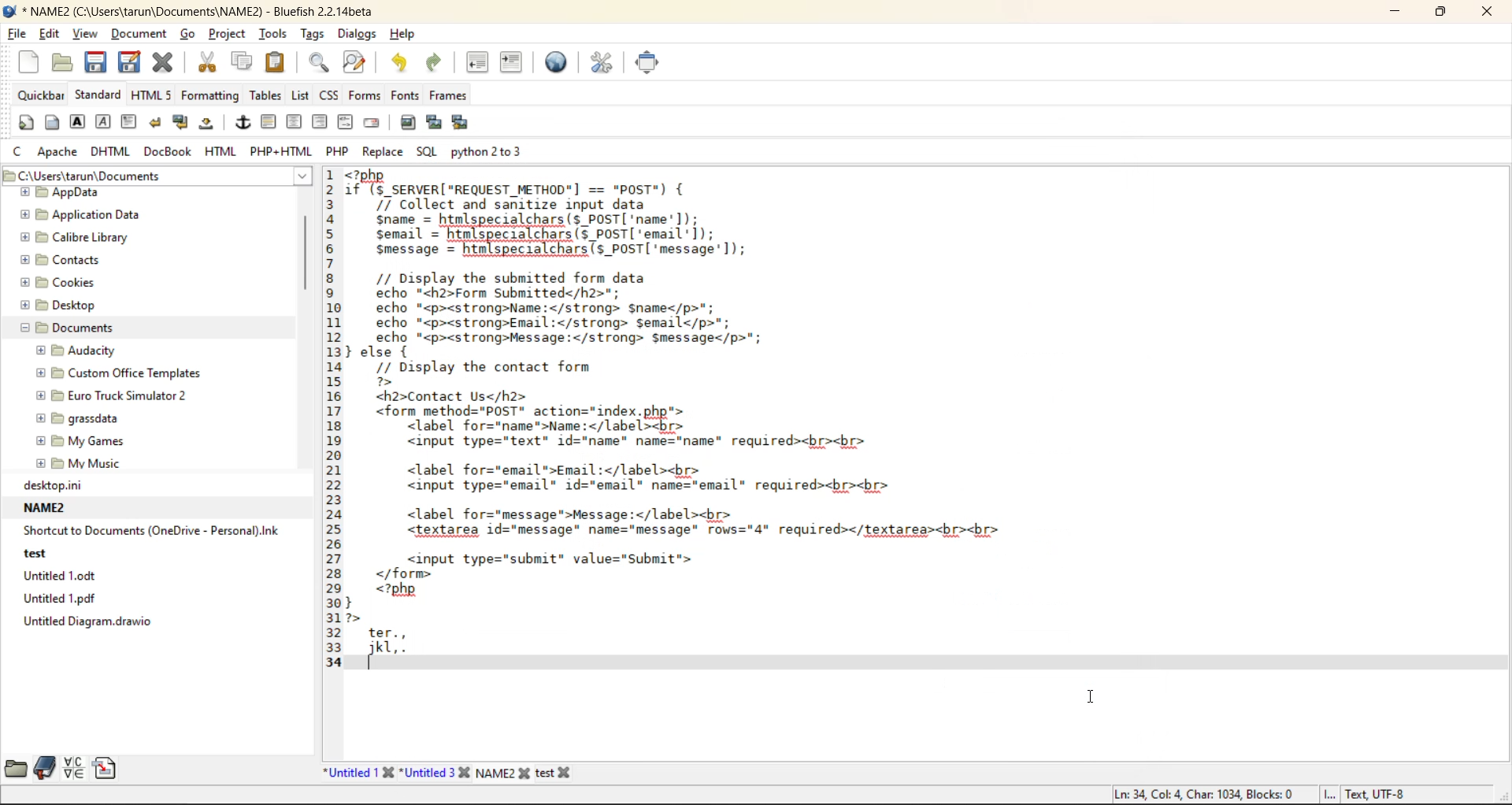 The width and height of the screenshot is (1512, 805). I want to click on redo, so click(437, 62).